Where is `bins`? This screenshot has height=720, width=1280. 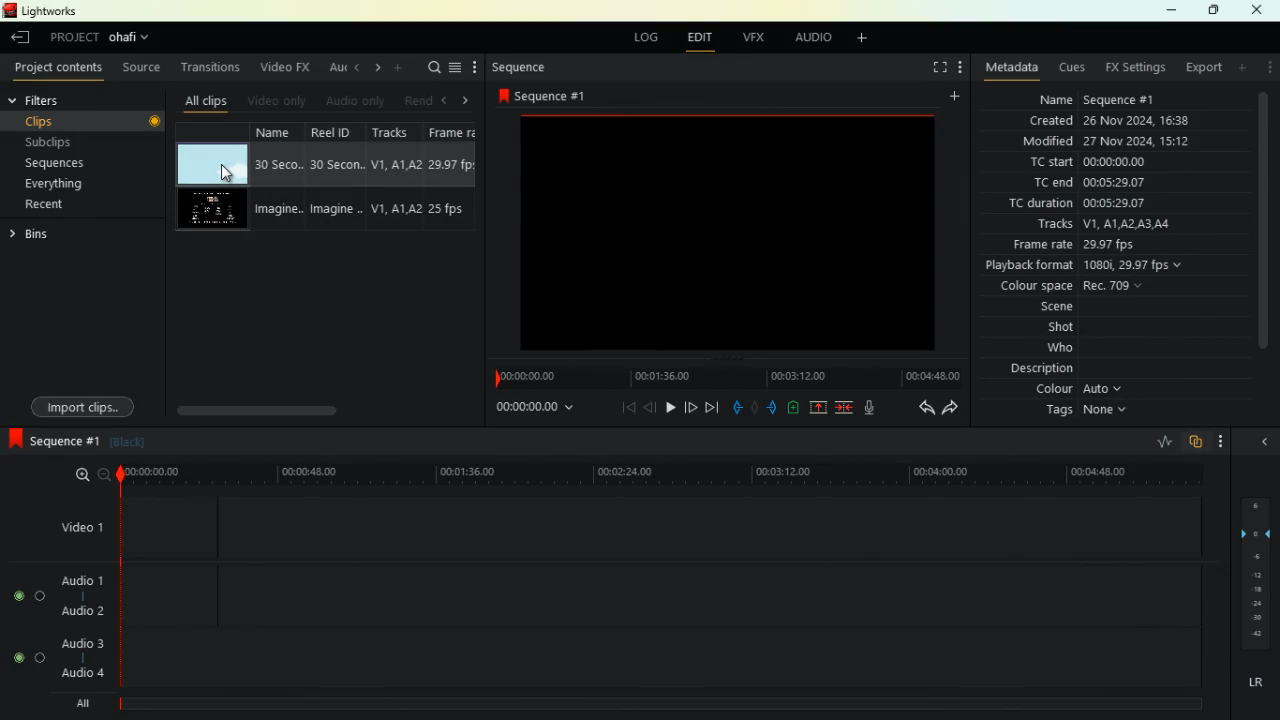
bins is located at coordinates (41, 235).